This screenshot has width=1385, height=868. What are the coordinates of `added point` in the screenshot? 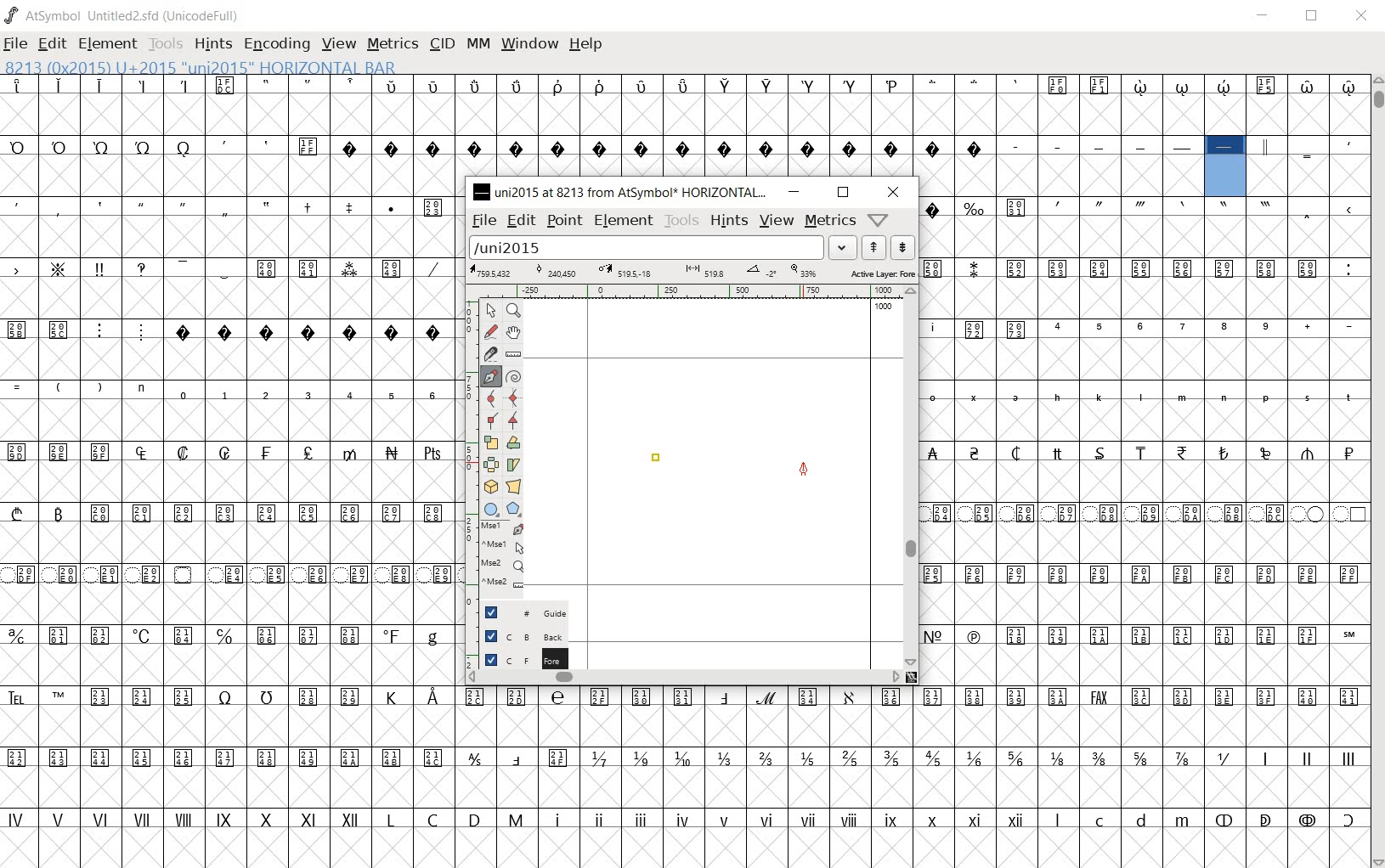 It's located at (657, 461).